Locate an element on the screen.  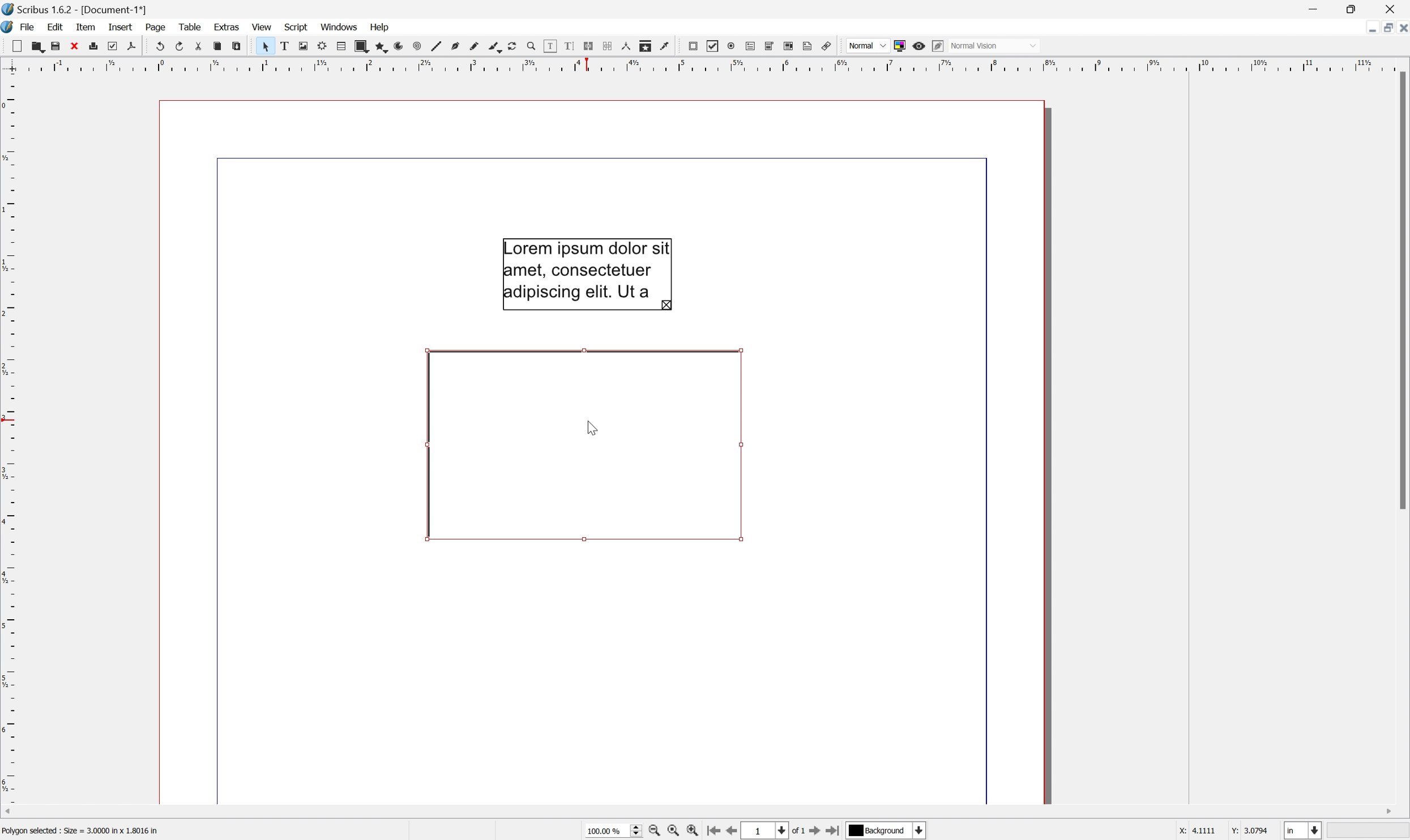
Undo is located at coordinates (156, 46).